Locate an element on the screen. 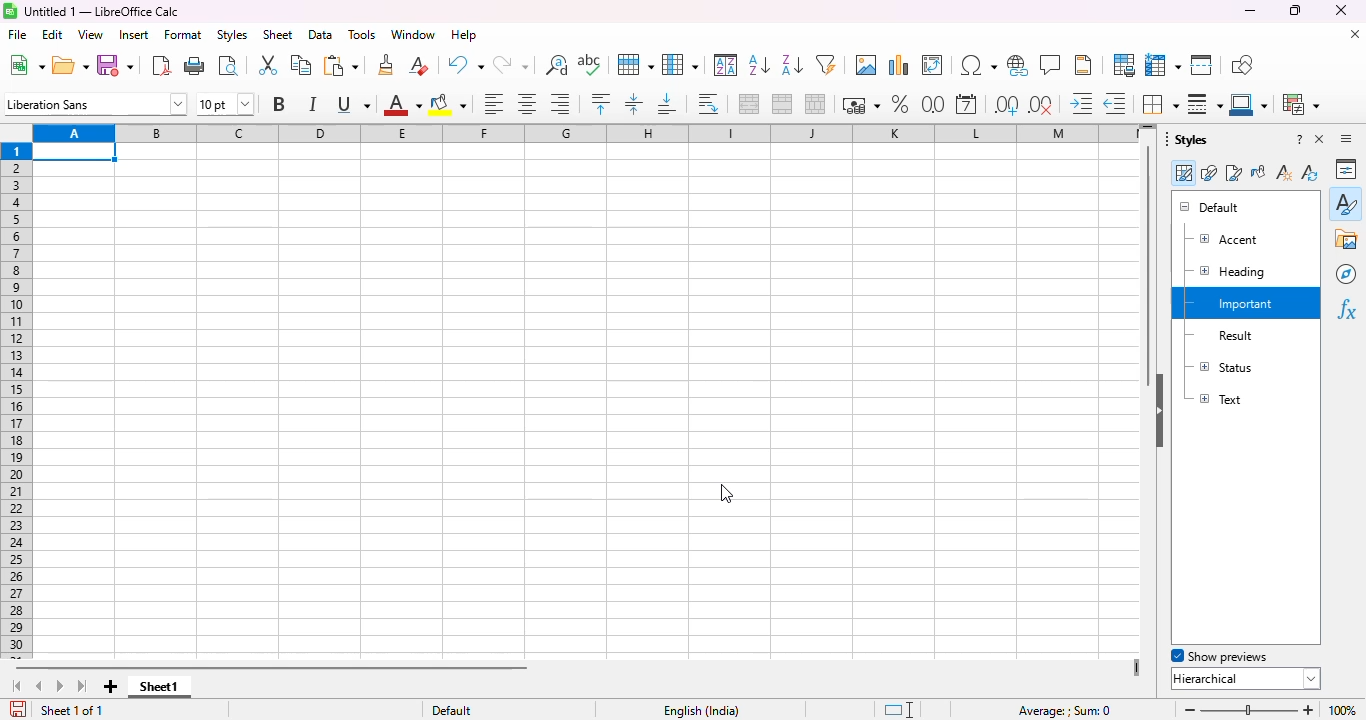 Image resolution: width=1366 pixels, height=720 pixels. undo is located at coordinates (465, 65).